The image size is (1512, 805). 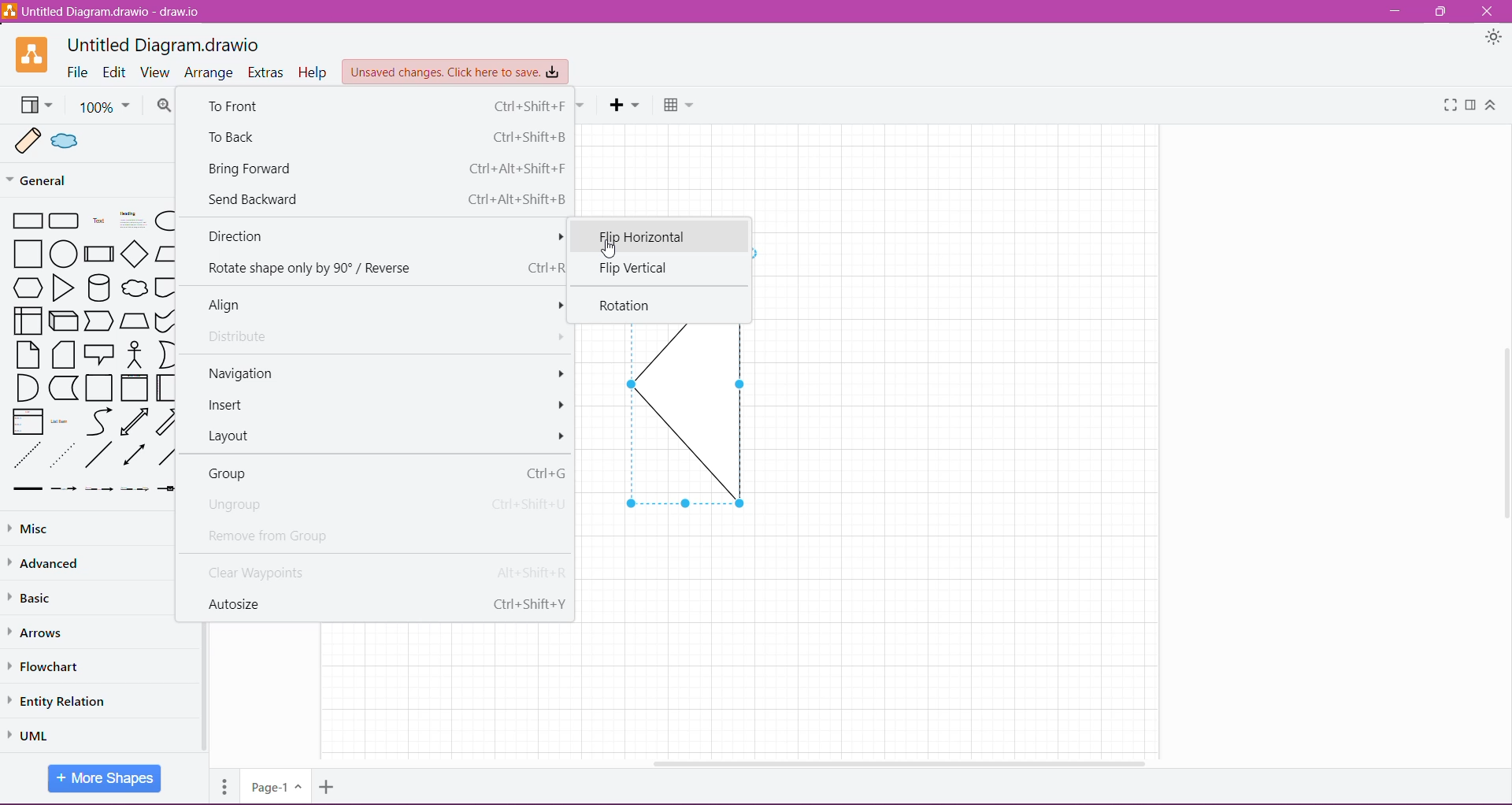 I want to click on Insert, so click(x=625, y=106).